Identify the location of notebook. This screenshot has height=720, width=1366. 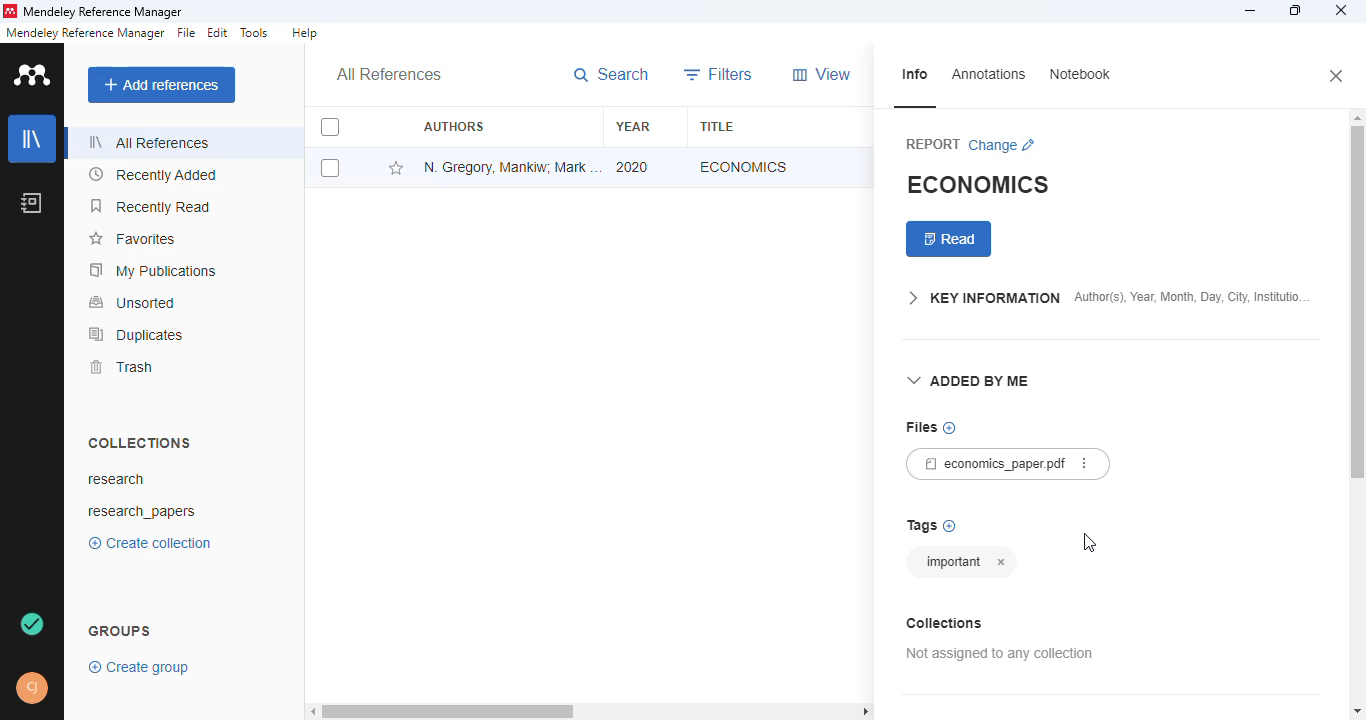
(32, 203).